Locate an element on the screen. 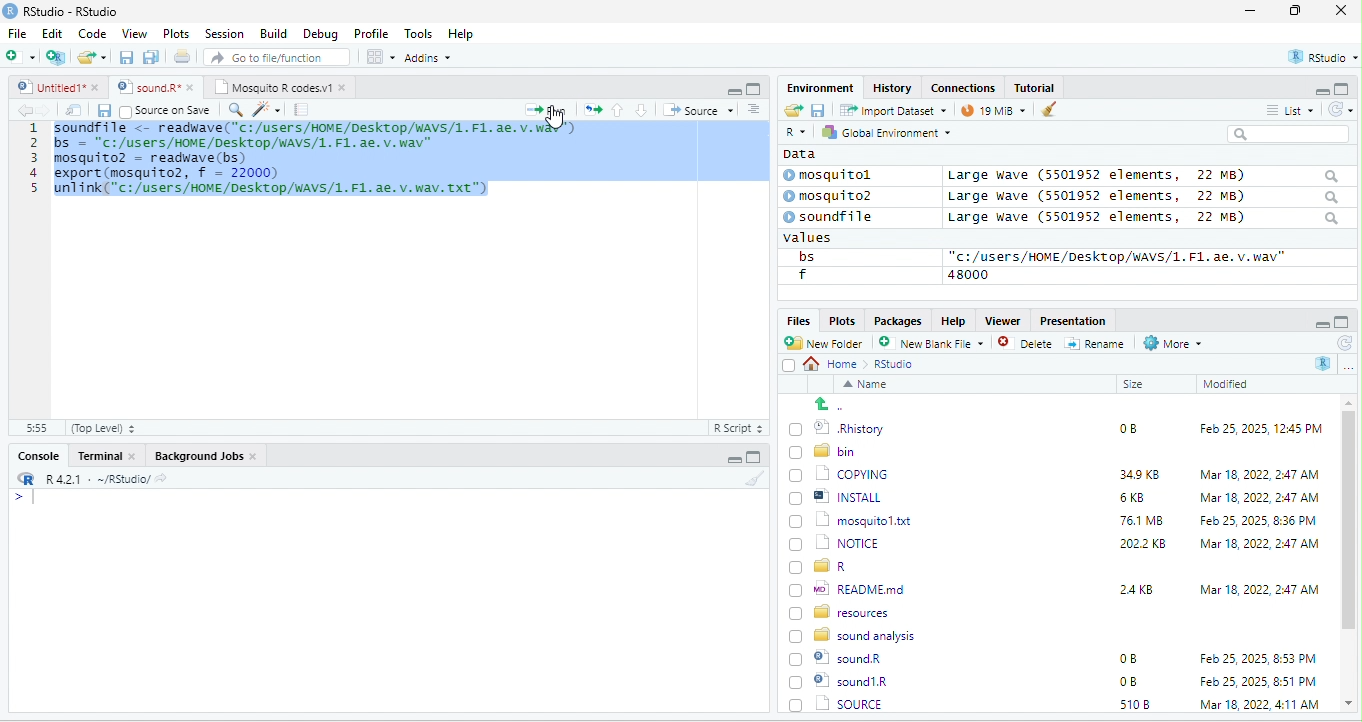 This screenshot has height=722, width=1362. folder is located at coordinates (94, 57).